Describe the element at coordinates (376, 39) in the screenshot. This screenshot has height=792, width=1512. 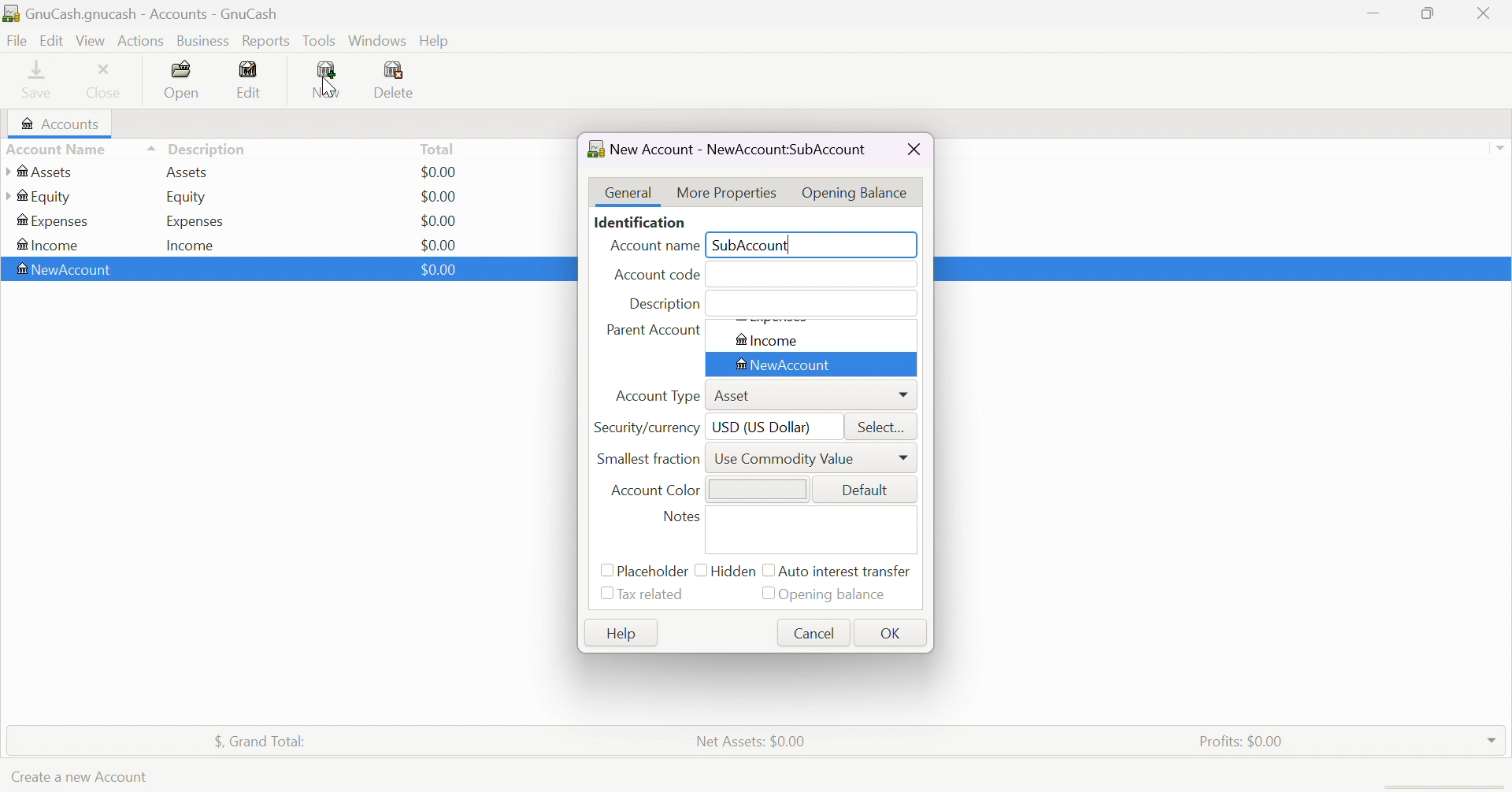
I see `Windows` at that location.